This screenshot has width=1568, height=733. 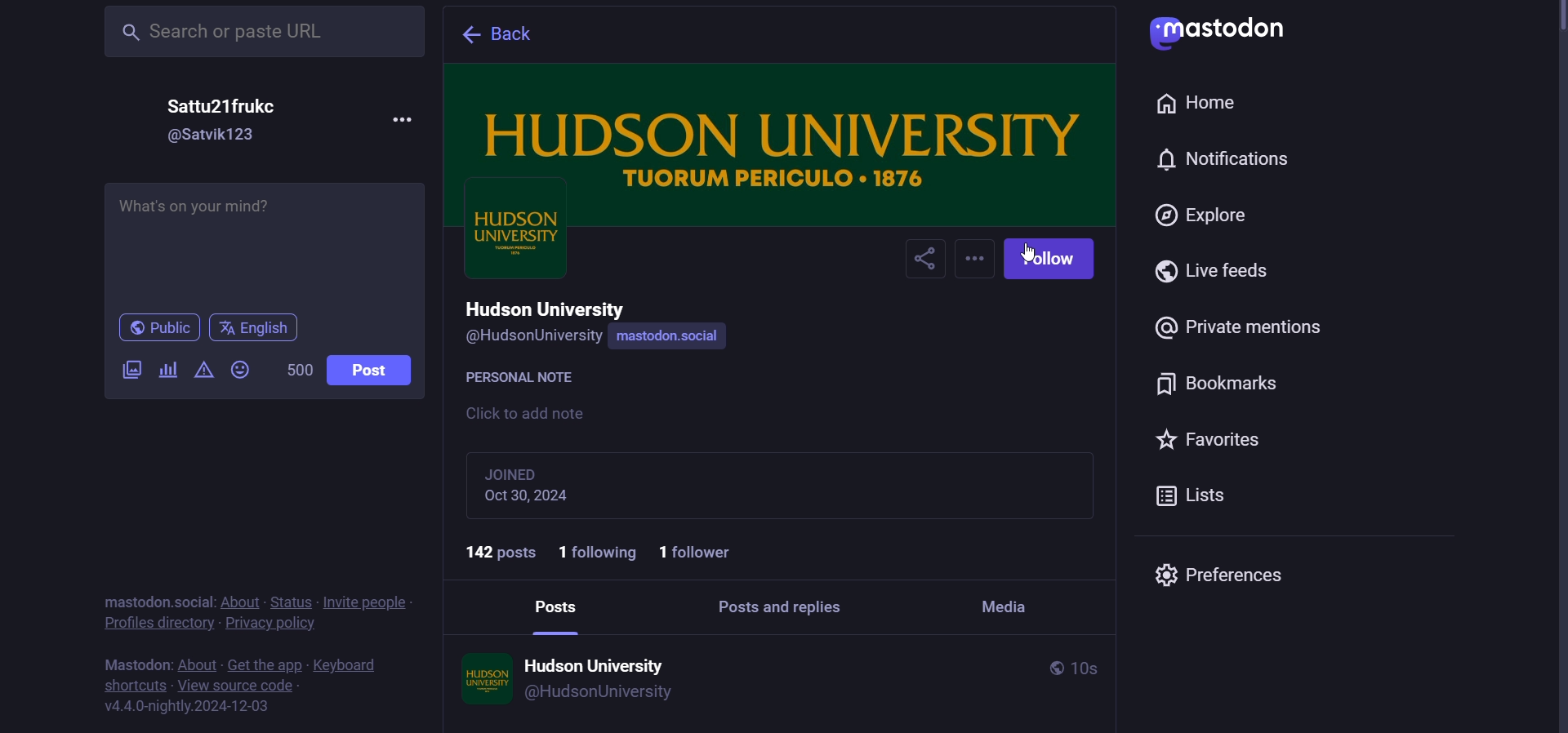 What do you see at coordinates (1213, 272) in the screenshot?
I see `live feed` at bounding box center [1213, 272].